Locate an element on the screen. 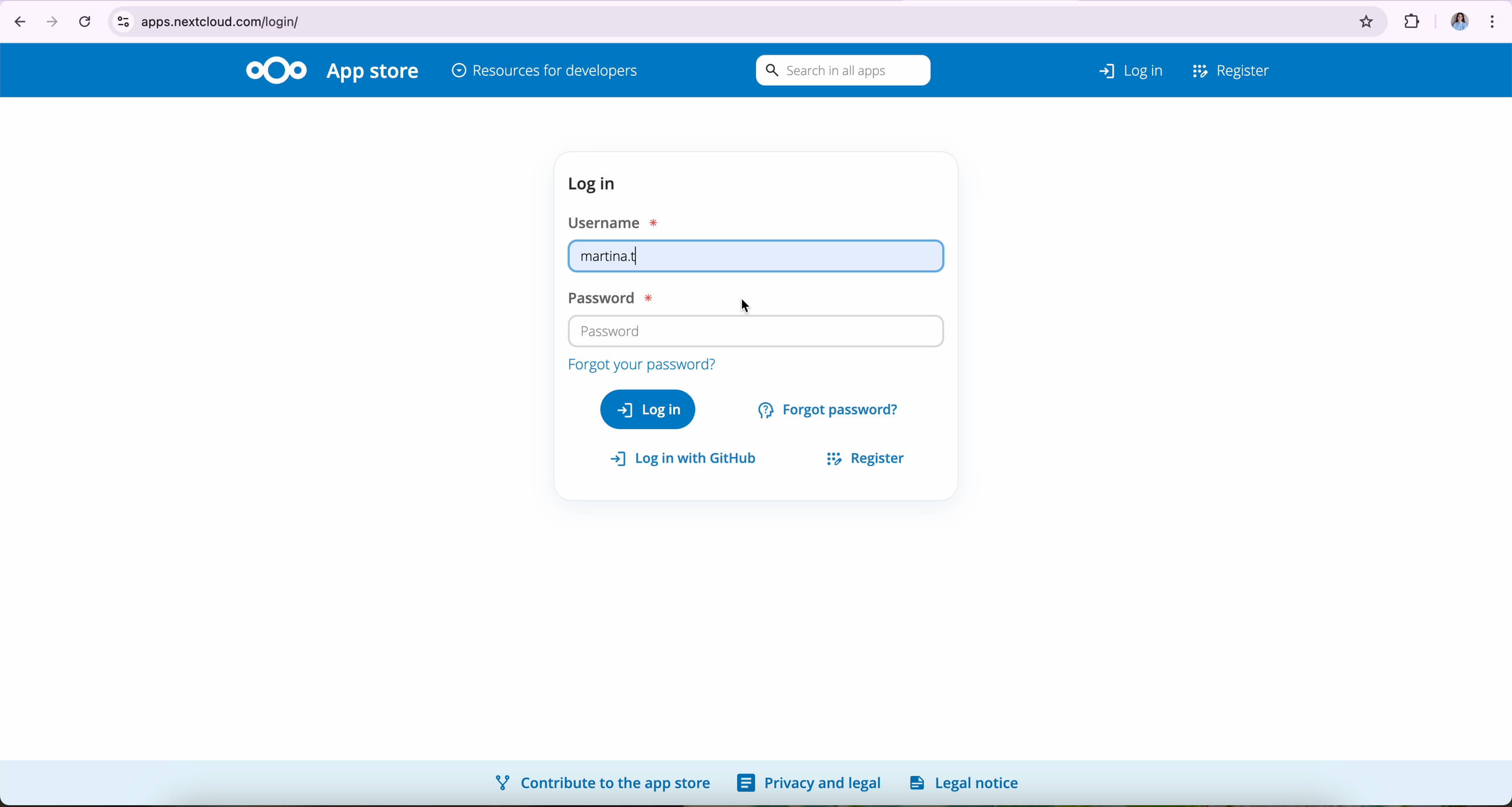  log in is located at coordinates (596, 184).